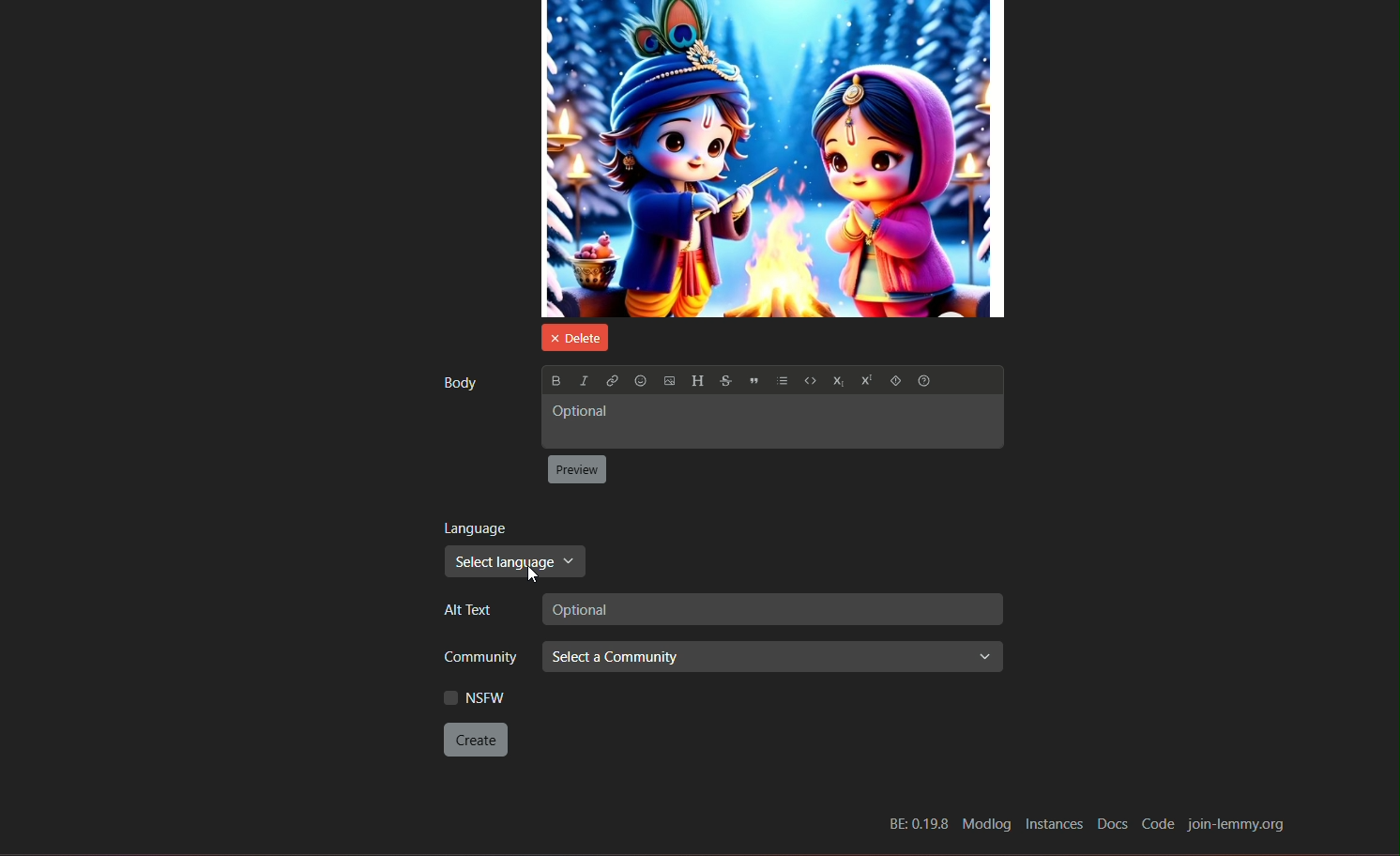 Image resolution: width=1400 pixels, height=856 pixels. Describe the element at coordinates (783, 383) in the screenshot. I see `list` at that location.